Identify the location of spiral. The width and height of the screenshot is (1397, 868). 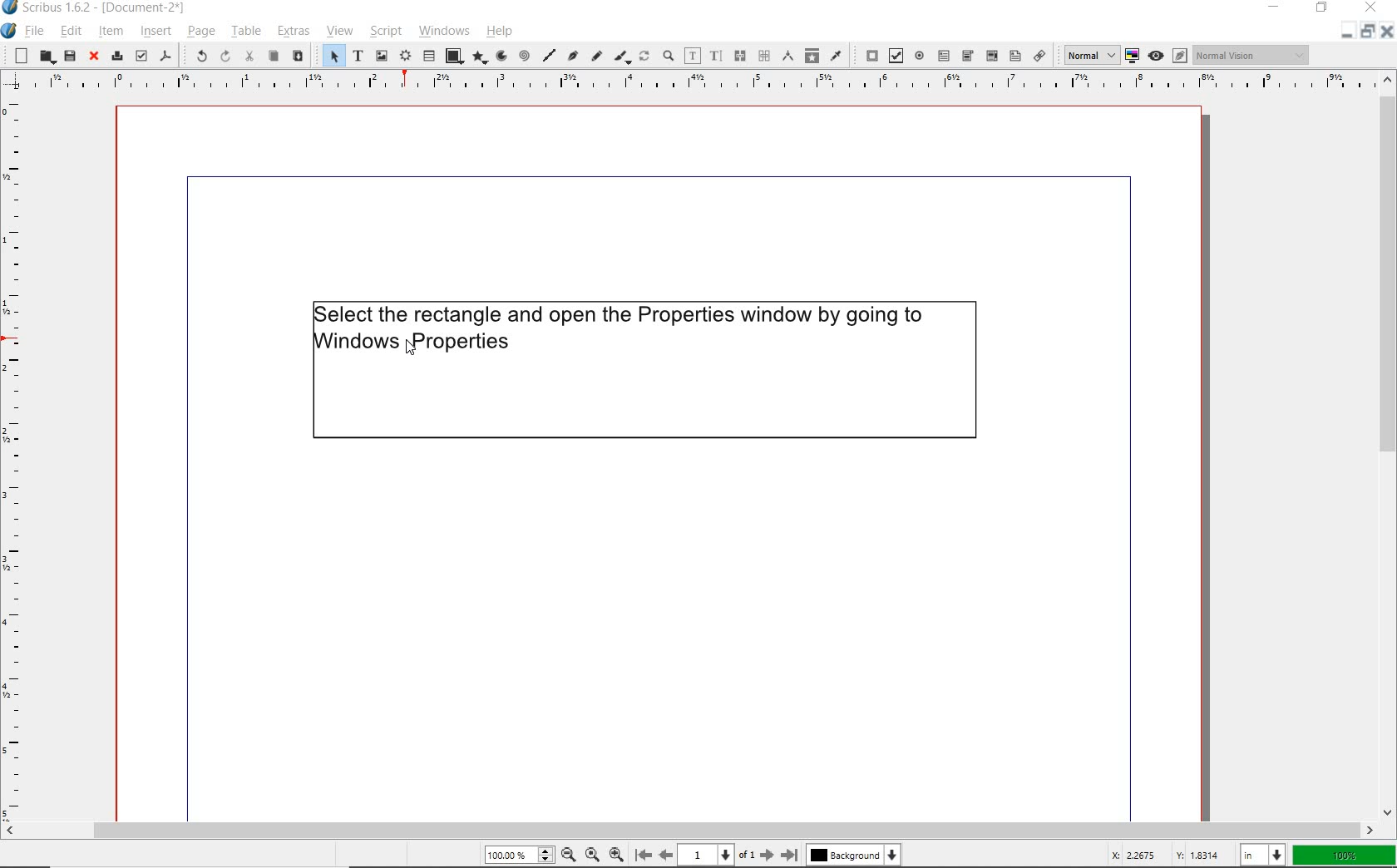
(524, 55).